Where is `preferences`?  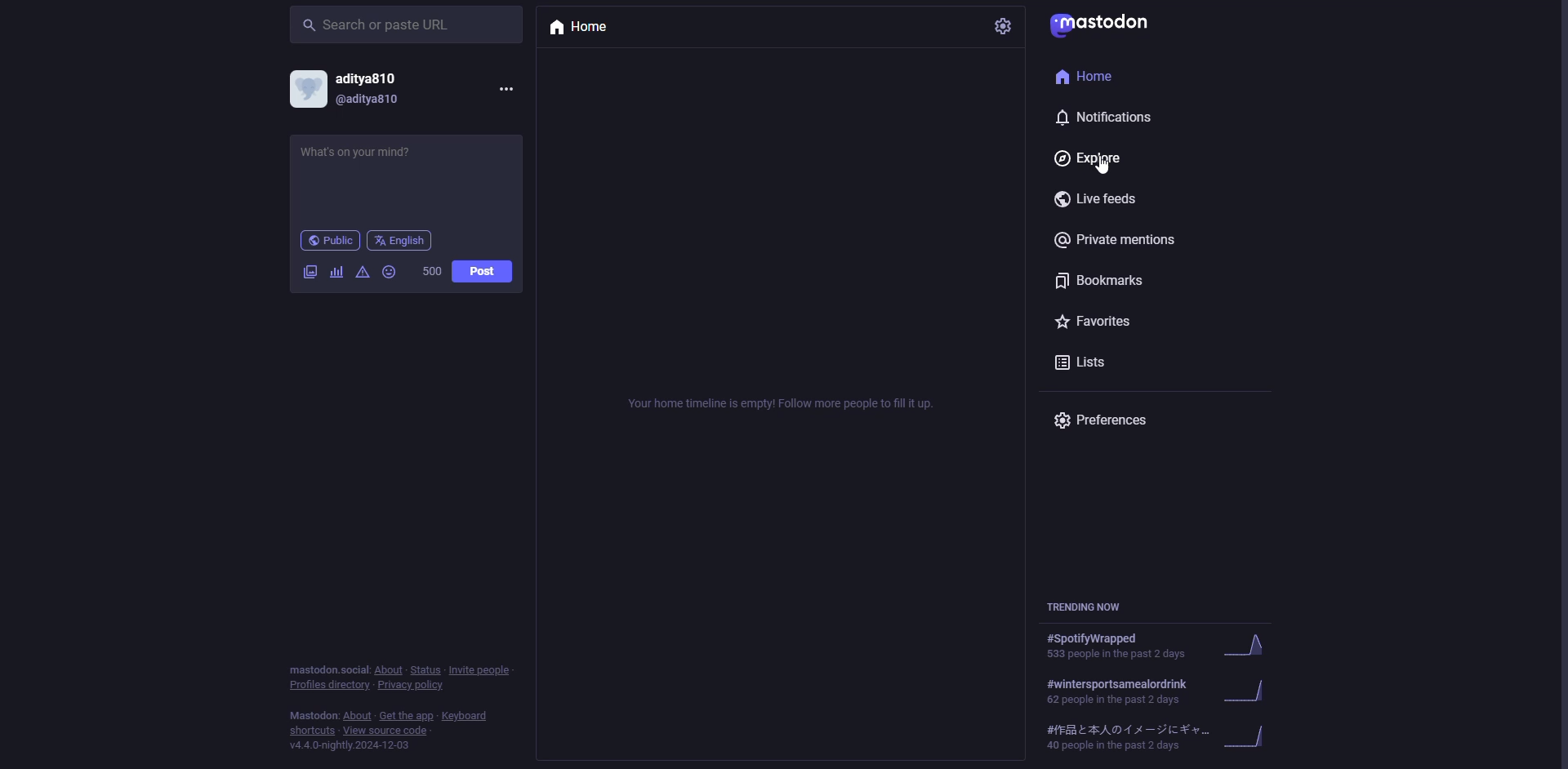
preferences is located at coordinates (1108, 420).